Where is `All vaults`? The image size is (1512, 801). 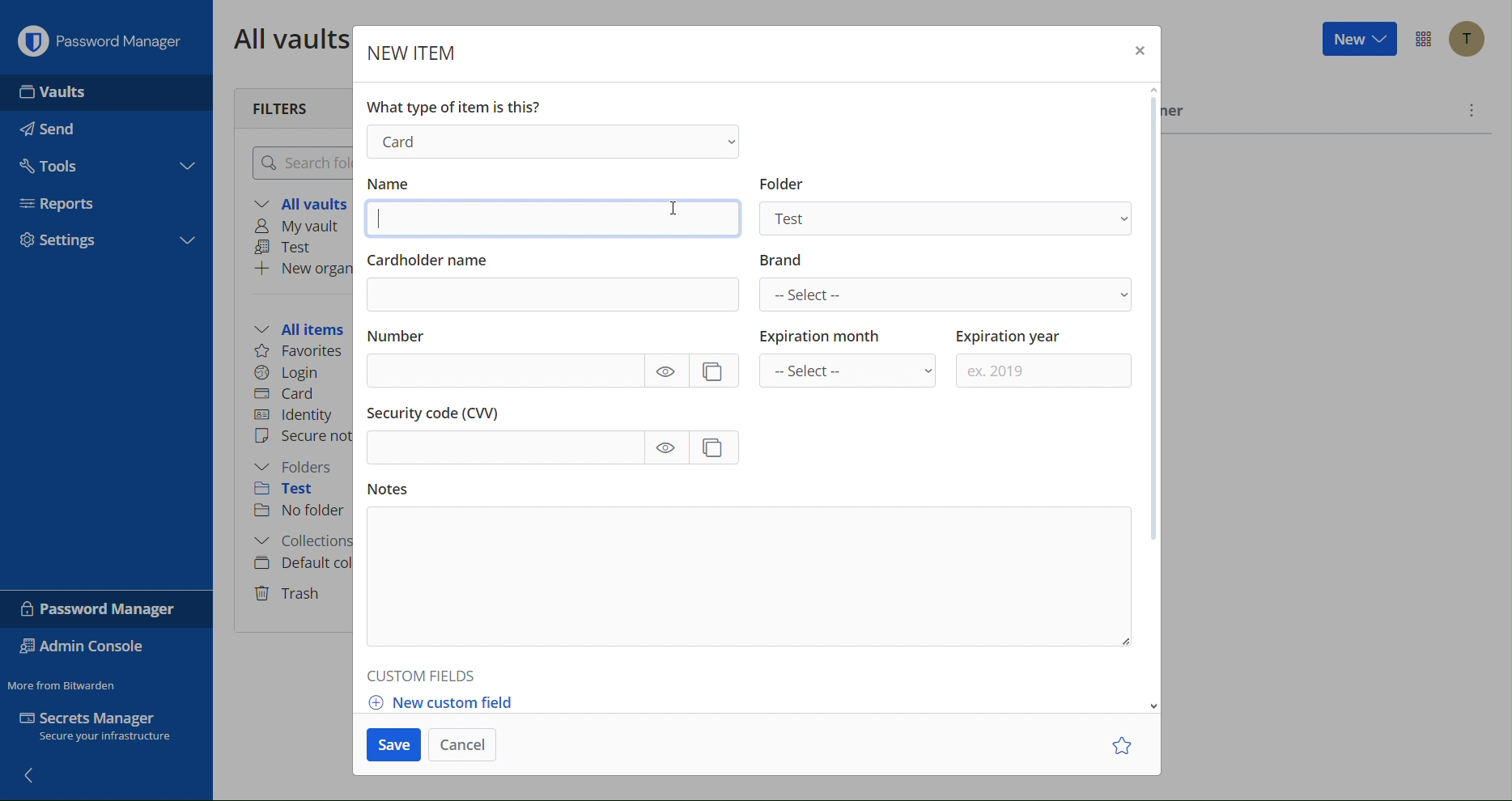
All vaults is located at coordinates (287, 37).